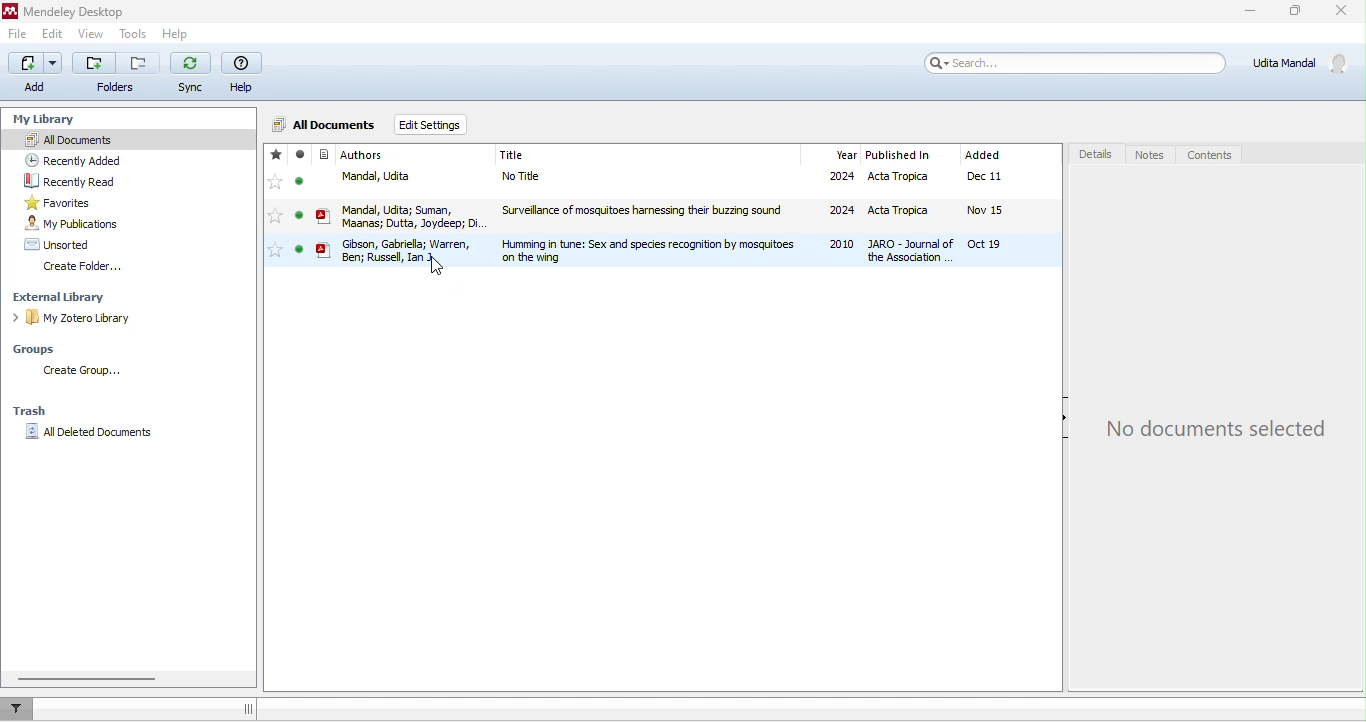  What do you see at coordinates (1215, 156) in the screenshot?
I see `contents` at bounding box center [1215, 156].